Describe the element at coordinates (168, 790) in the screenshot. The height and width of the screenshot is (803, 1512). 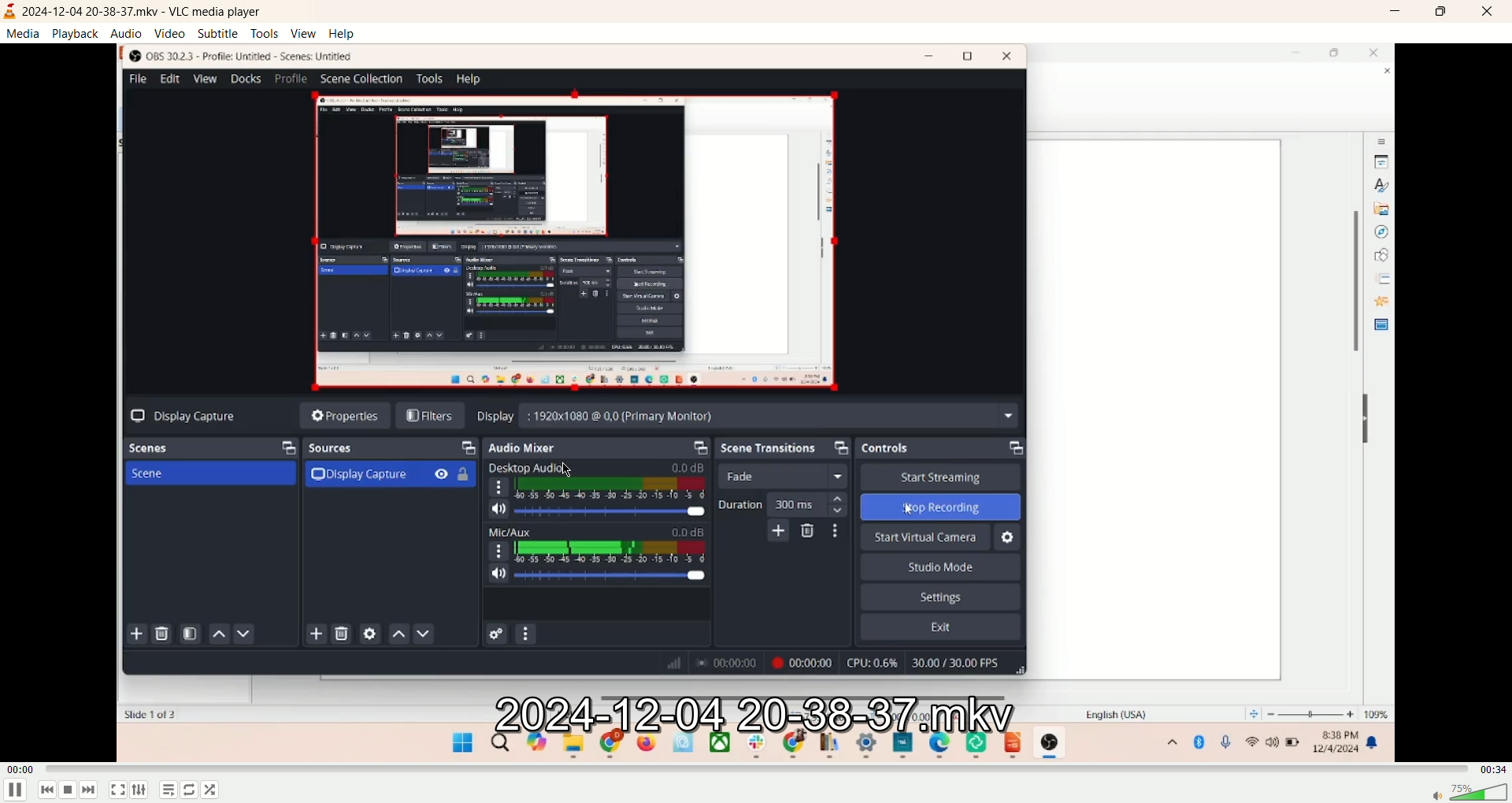
I see `playlist` at that location.